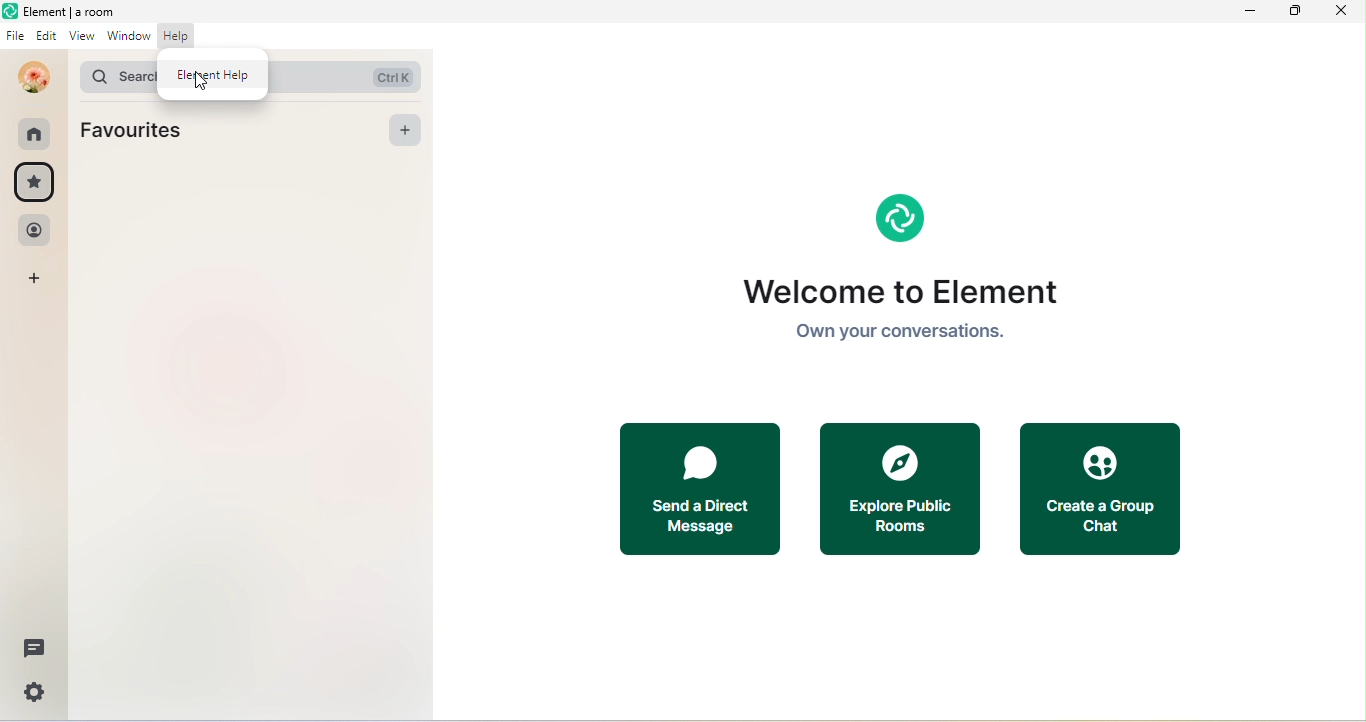 The height and width of the screenshot is (722, 1366). I want to click on favourites, so click(35, 185).